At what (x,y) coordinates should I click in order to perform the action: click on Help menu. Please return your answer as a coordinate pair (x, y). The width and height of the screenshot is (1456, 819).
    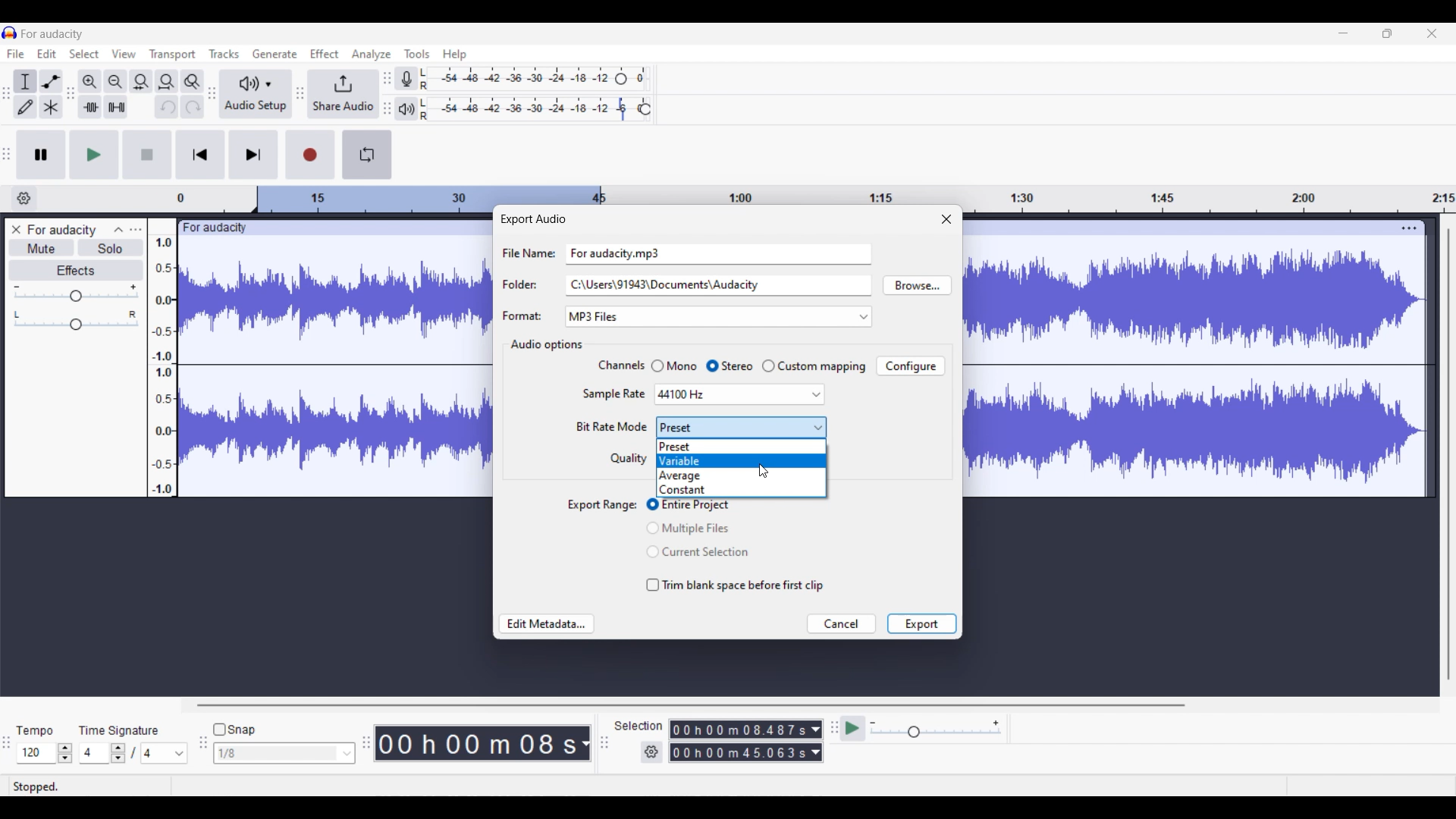
    Looking at the image, I should click on (455, 55).